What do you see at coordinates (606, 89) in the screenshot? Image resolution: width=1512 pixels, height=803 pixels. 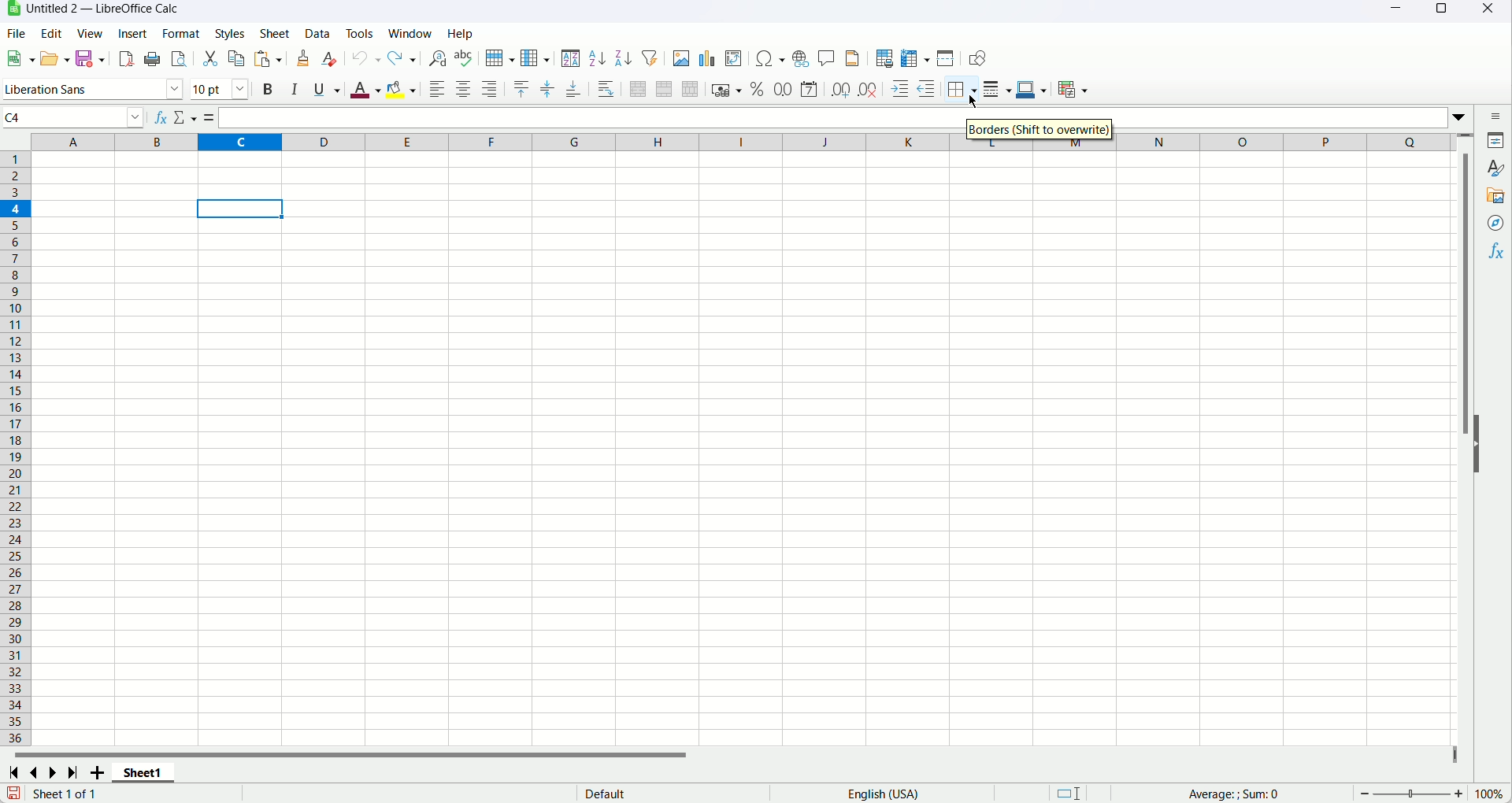 I see `Wrap text` at bounding box center [606, 89].